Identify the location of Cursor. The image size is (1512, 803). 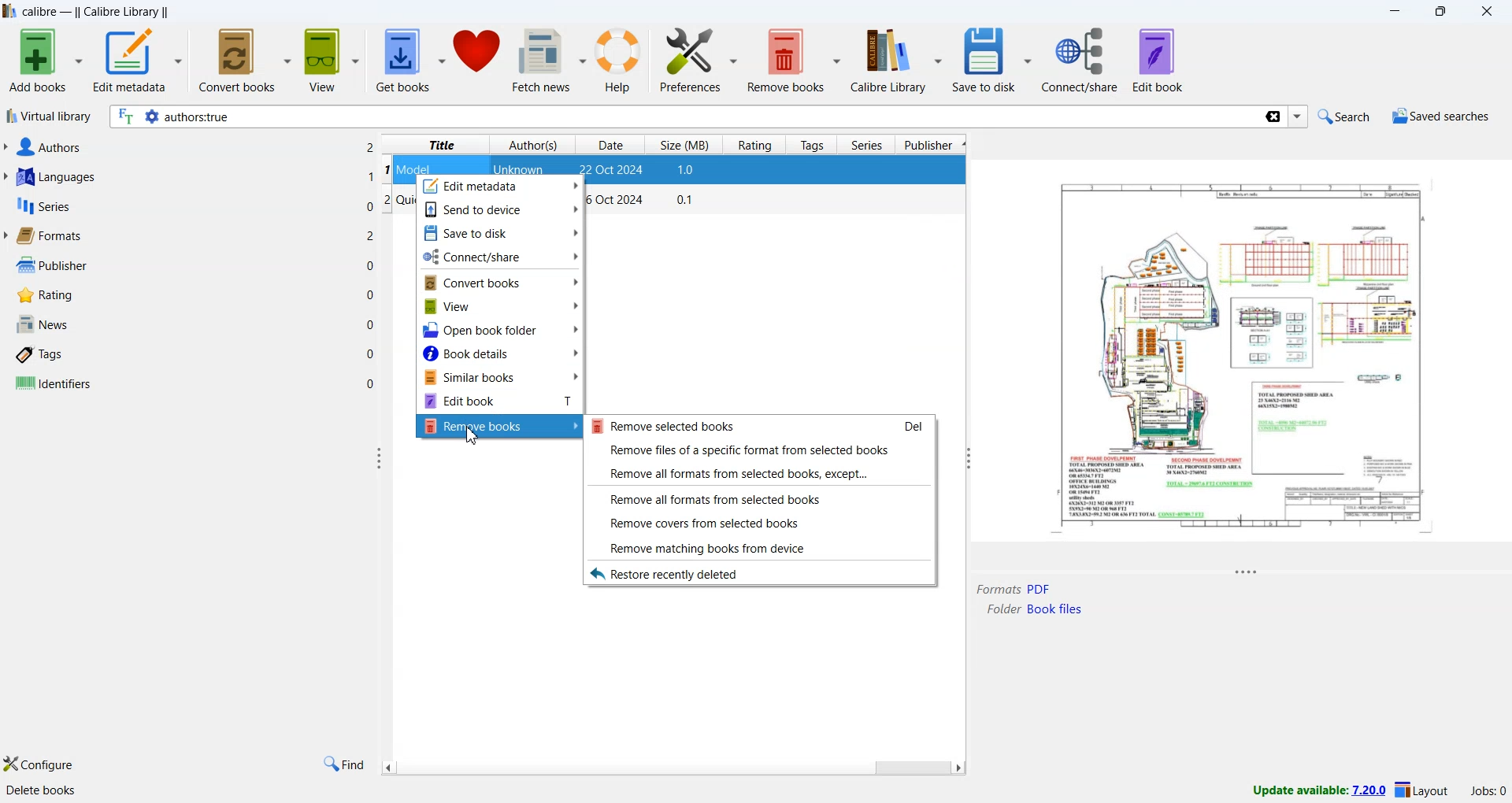
(475, 439).